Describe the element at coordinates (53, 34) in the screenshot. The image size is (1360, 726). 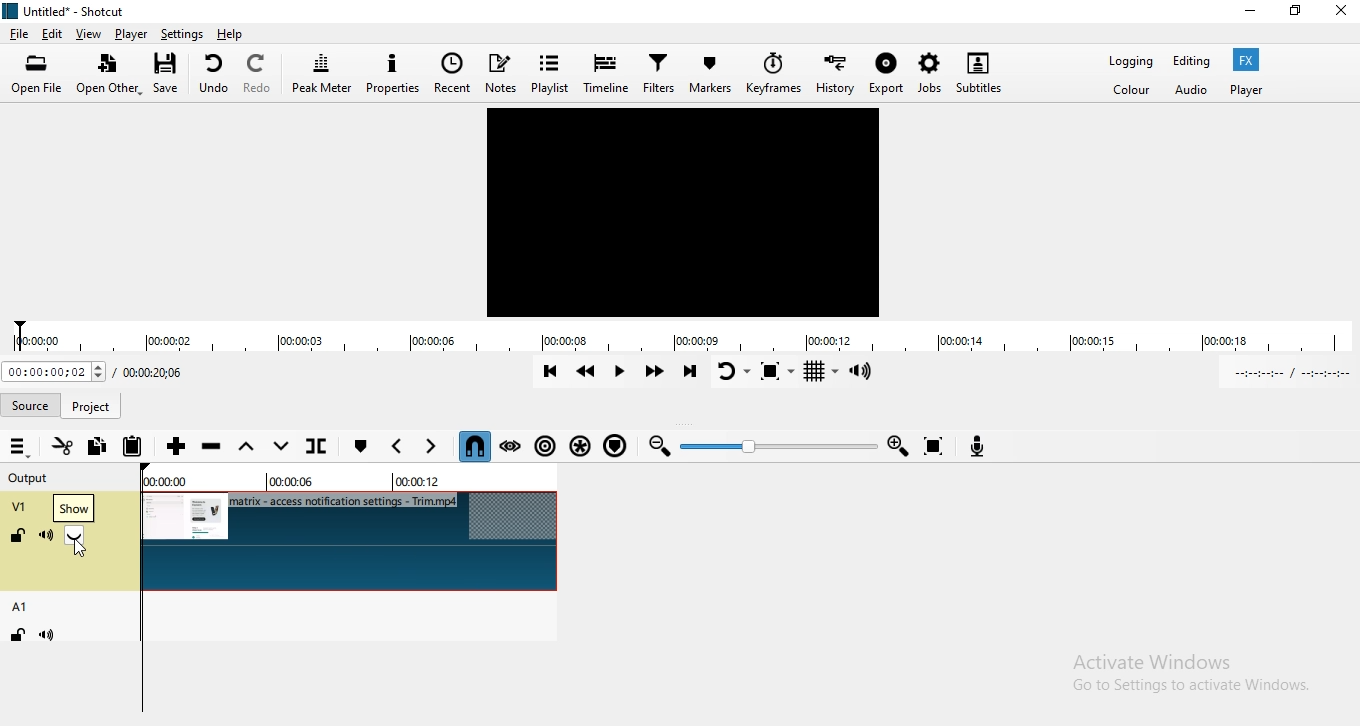
I see `Edit` at that location.